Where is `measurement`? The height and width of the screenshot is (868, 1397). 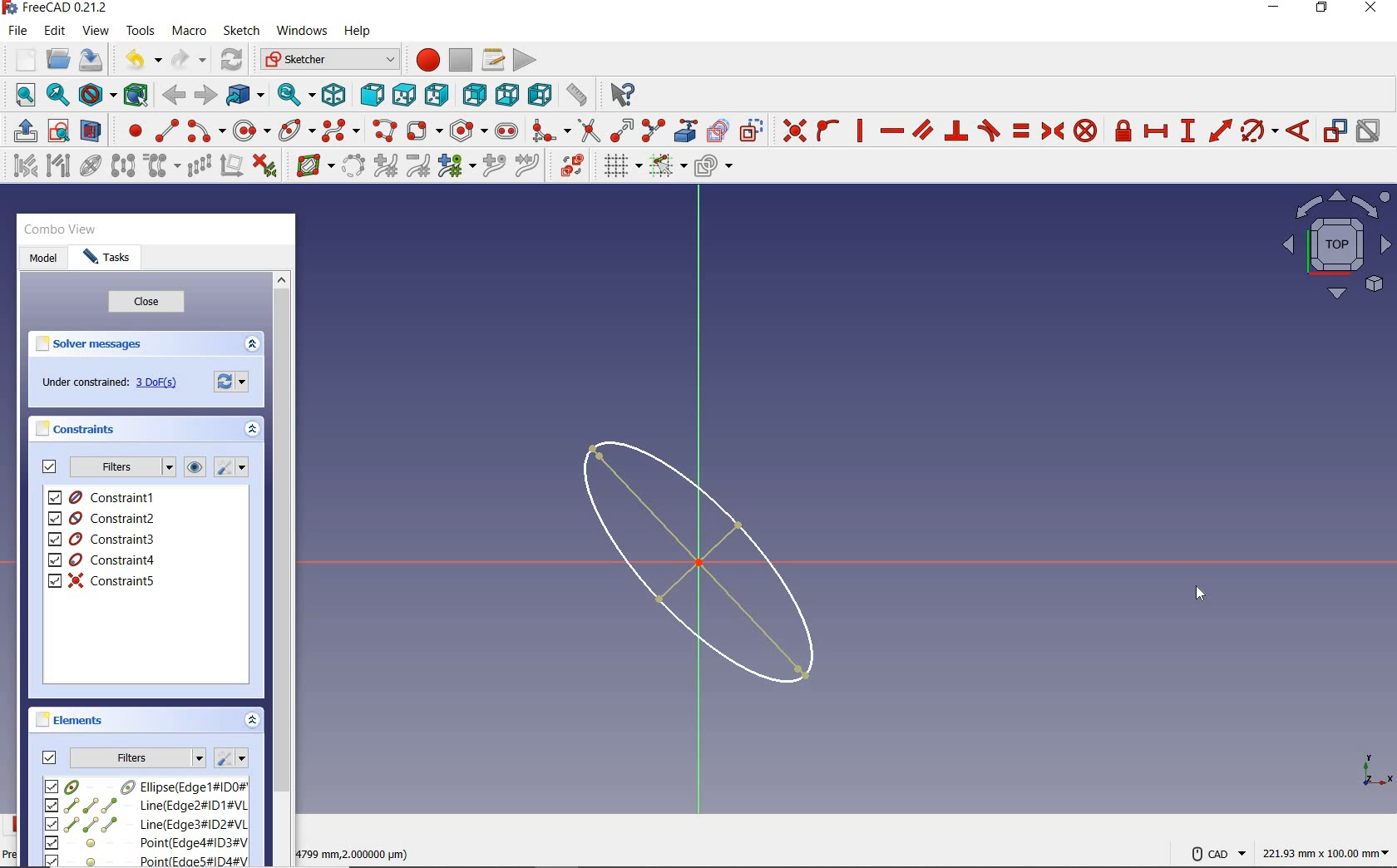 measurement is located at coordinates (1327, 851).